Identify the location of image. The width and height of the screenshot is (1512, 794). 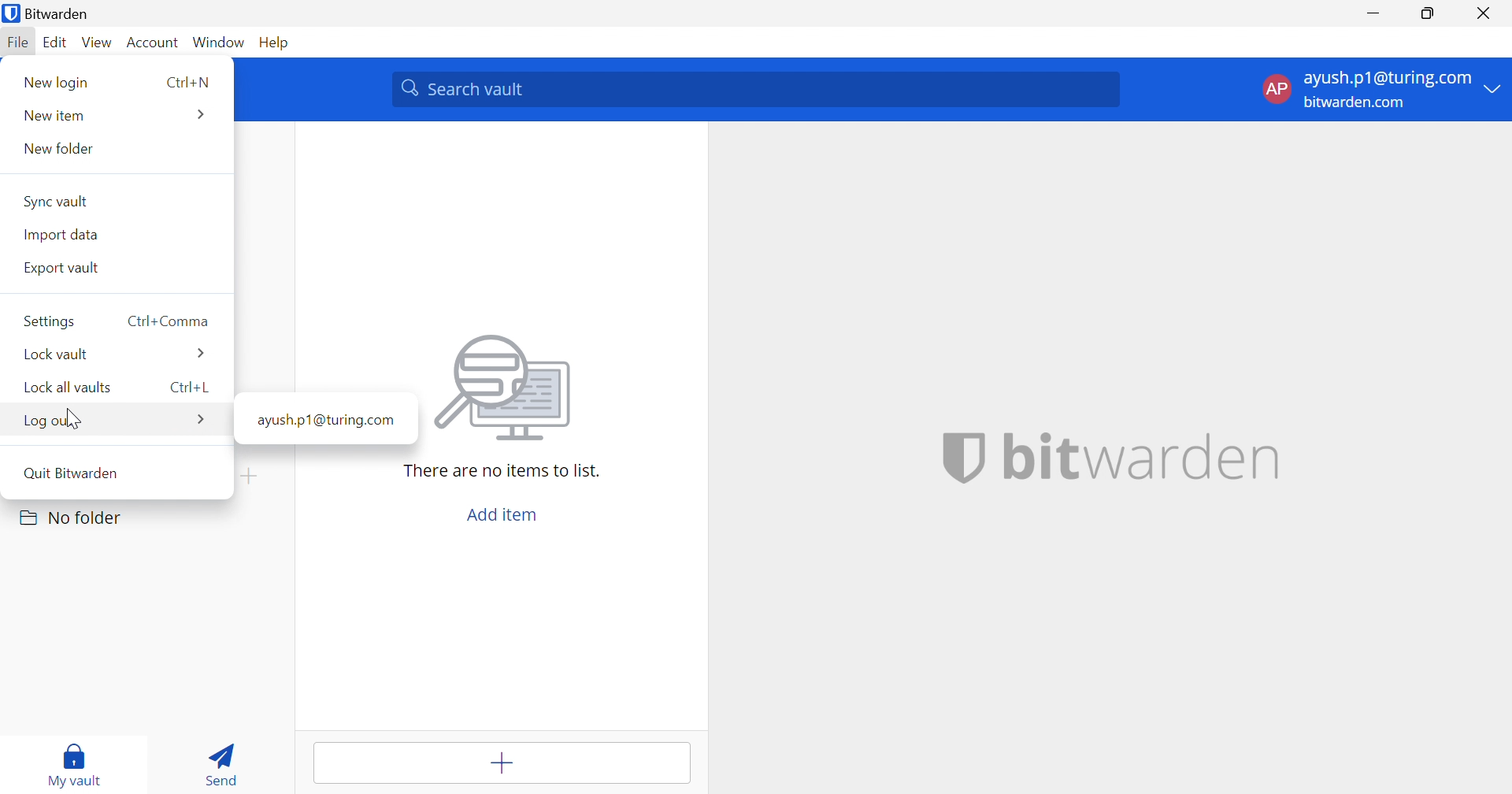
(506, 389).